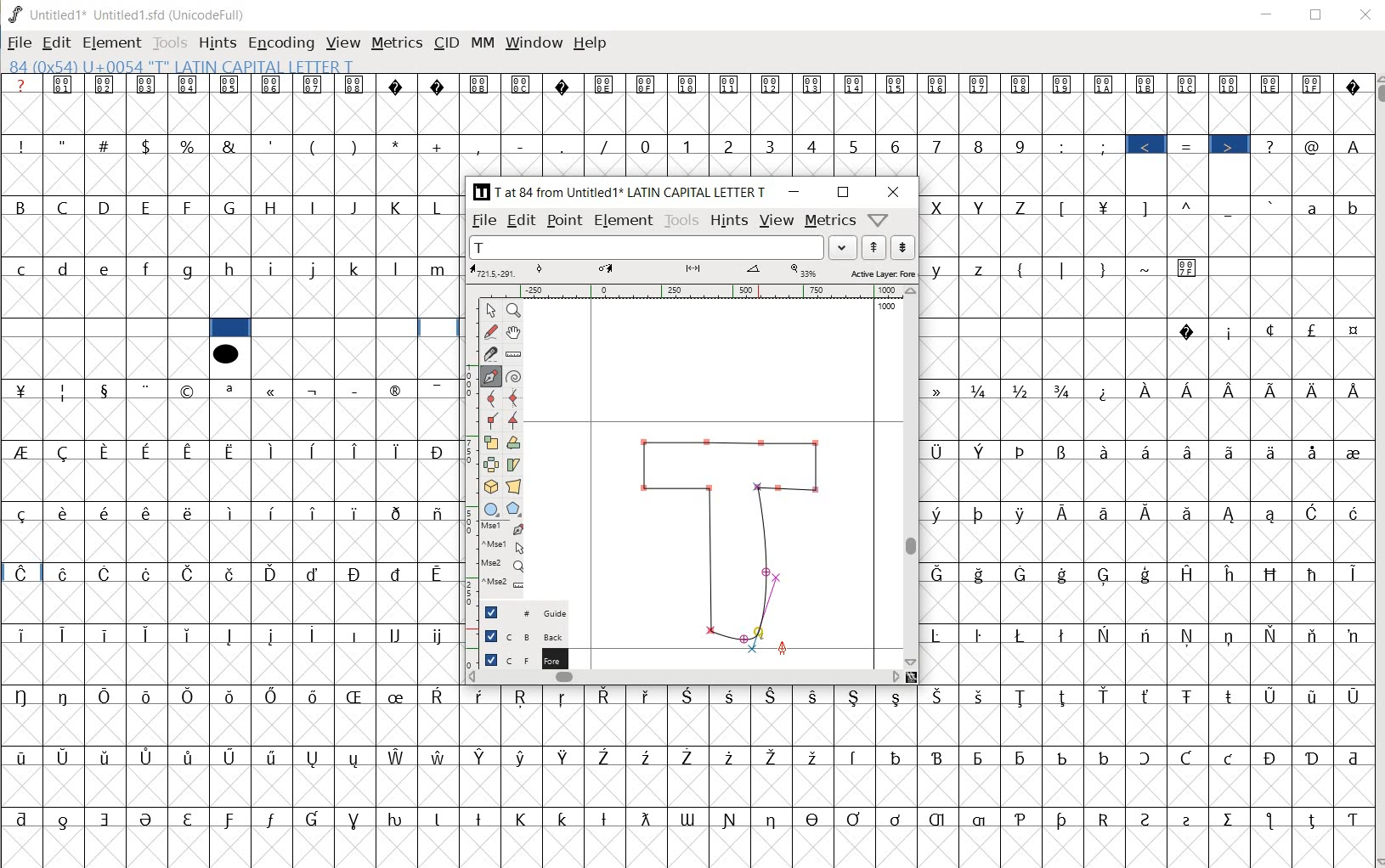  Describe the element at coordinates (1231, 635) in the screenshot. I see `Symbol` at that location.